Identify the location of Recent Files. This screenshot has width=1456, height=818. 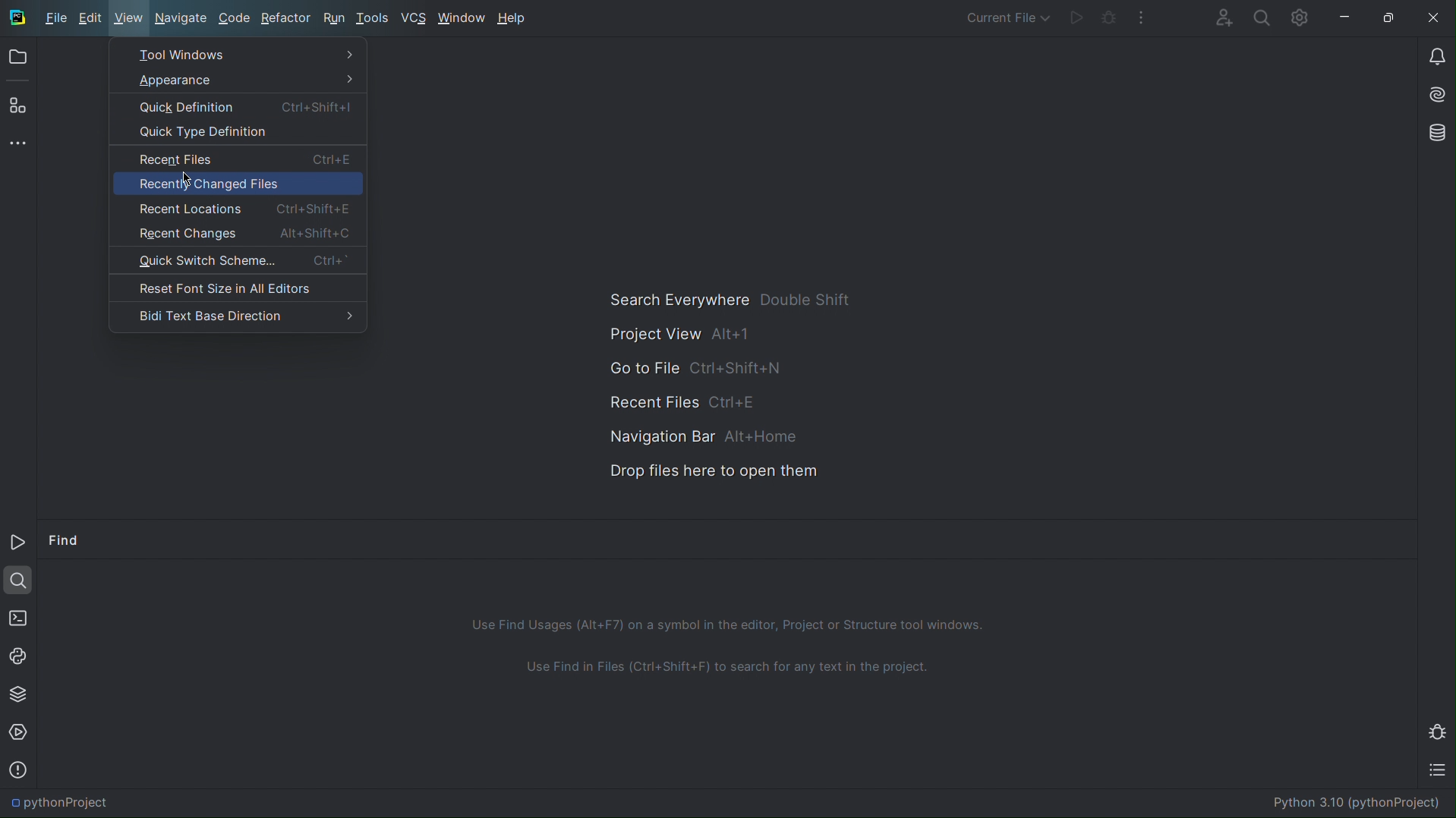
(235, 159).